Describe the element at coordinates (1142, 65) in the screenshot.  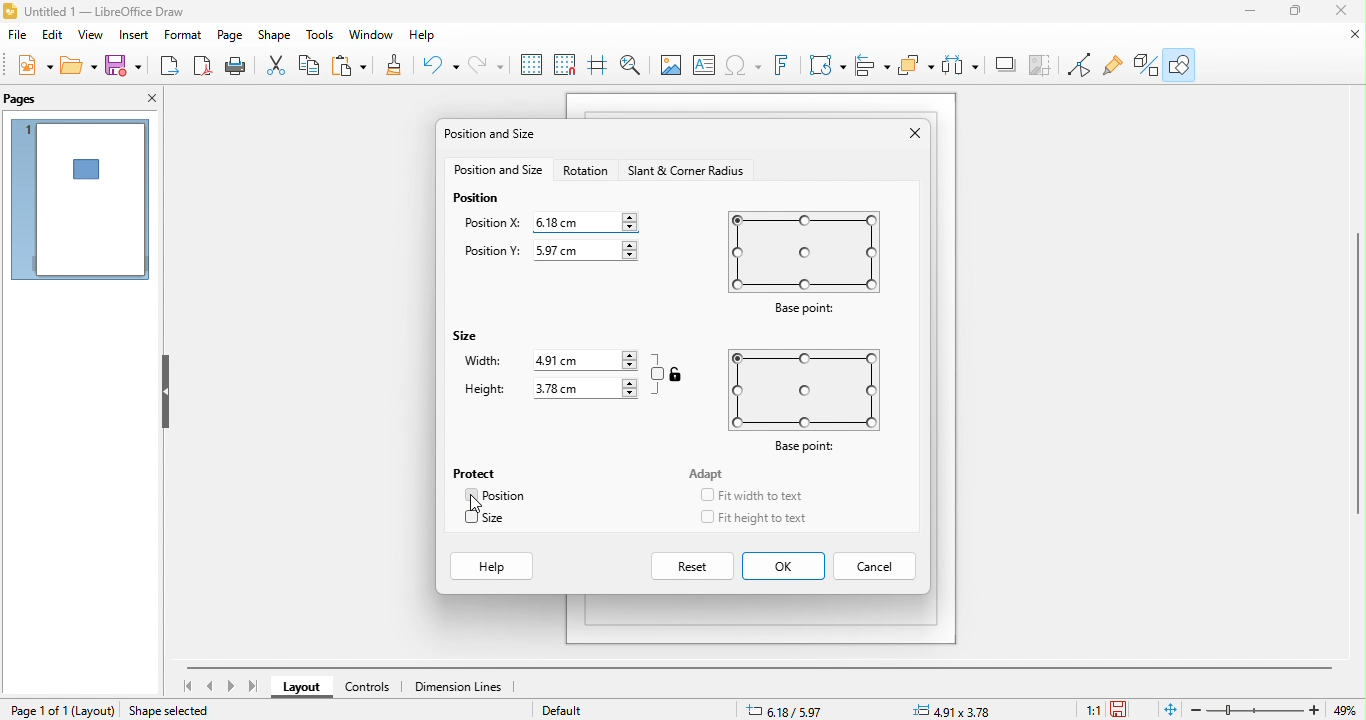
I see `toggle extrusion` at that location.